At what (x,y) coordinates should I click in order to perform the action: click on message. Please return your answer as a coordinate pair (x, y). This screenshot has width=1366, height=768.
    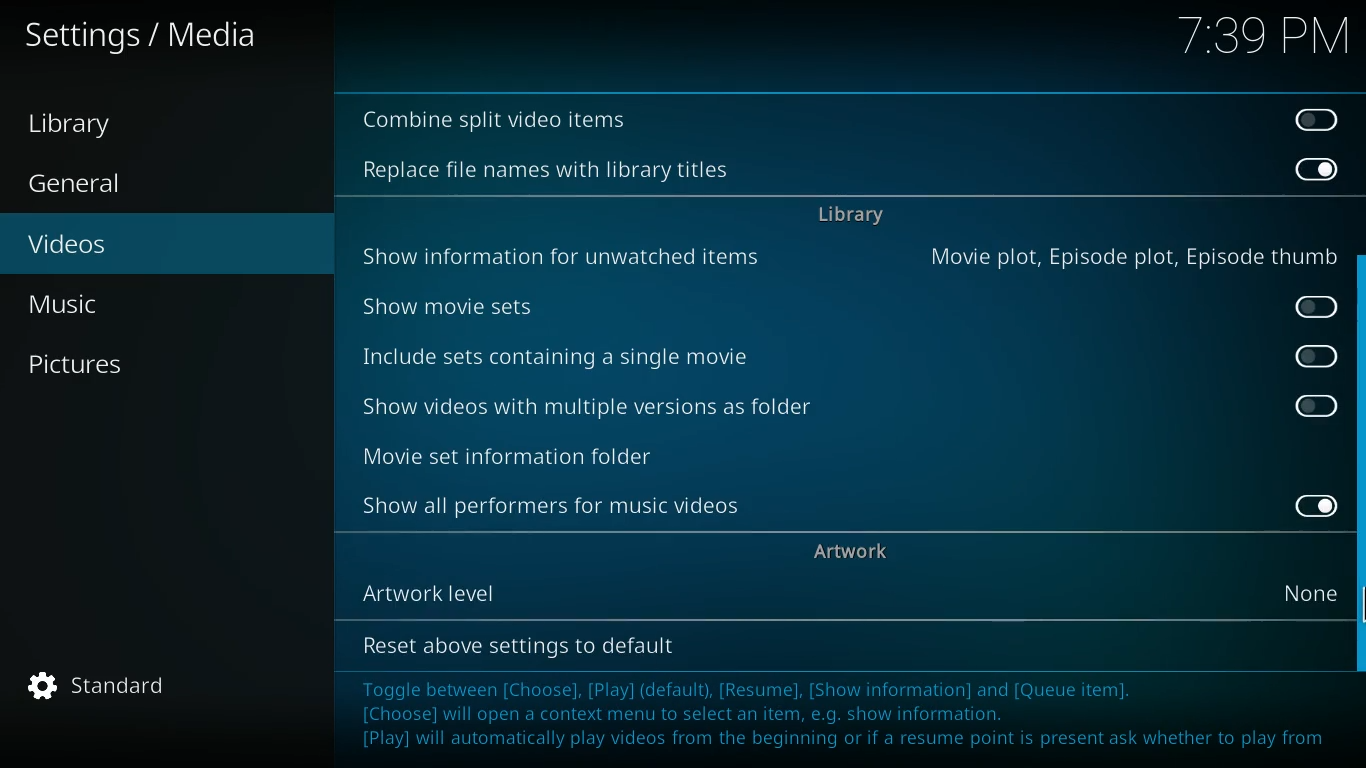
    Looking at the image, I should click on (851, 713).